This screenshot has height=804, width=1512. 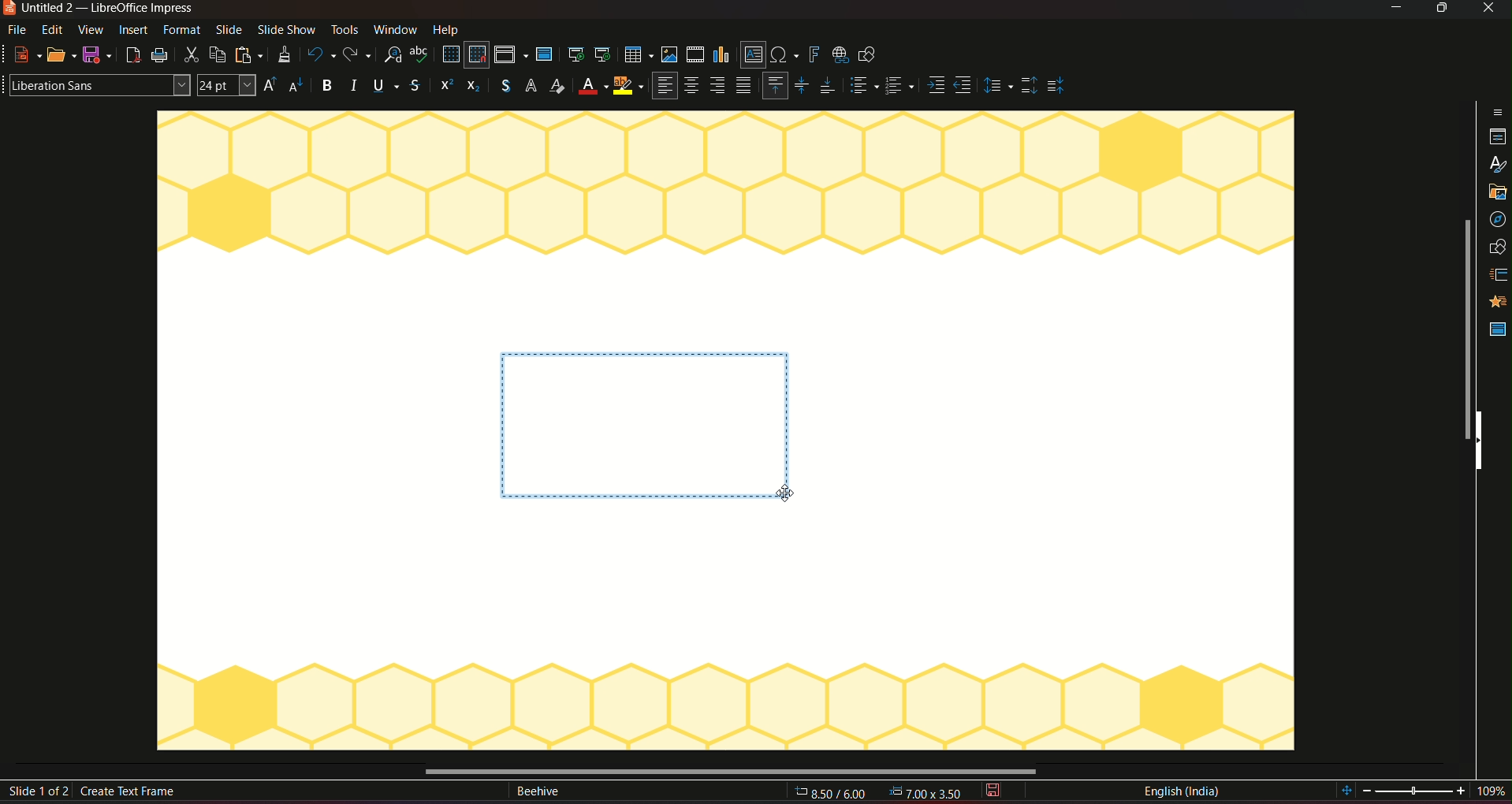 I want to click on edit, so click(x=53, y=31).